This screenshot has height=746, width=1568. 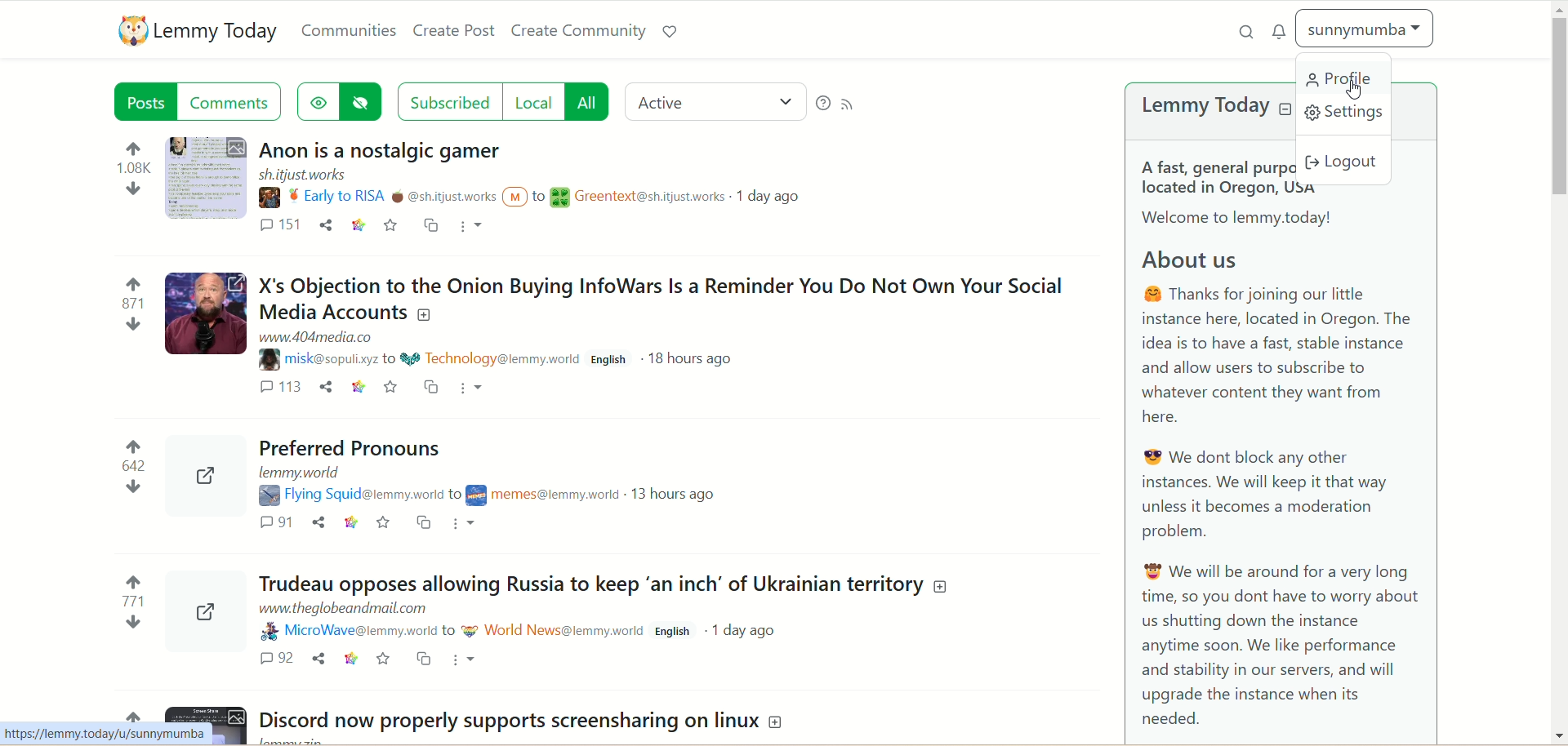 I want to click on 18 hours ago, so click(x=695, y=357).